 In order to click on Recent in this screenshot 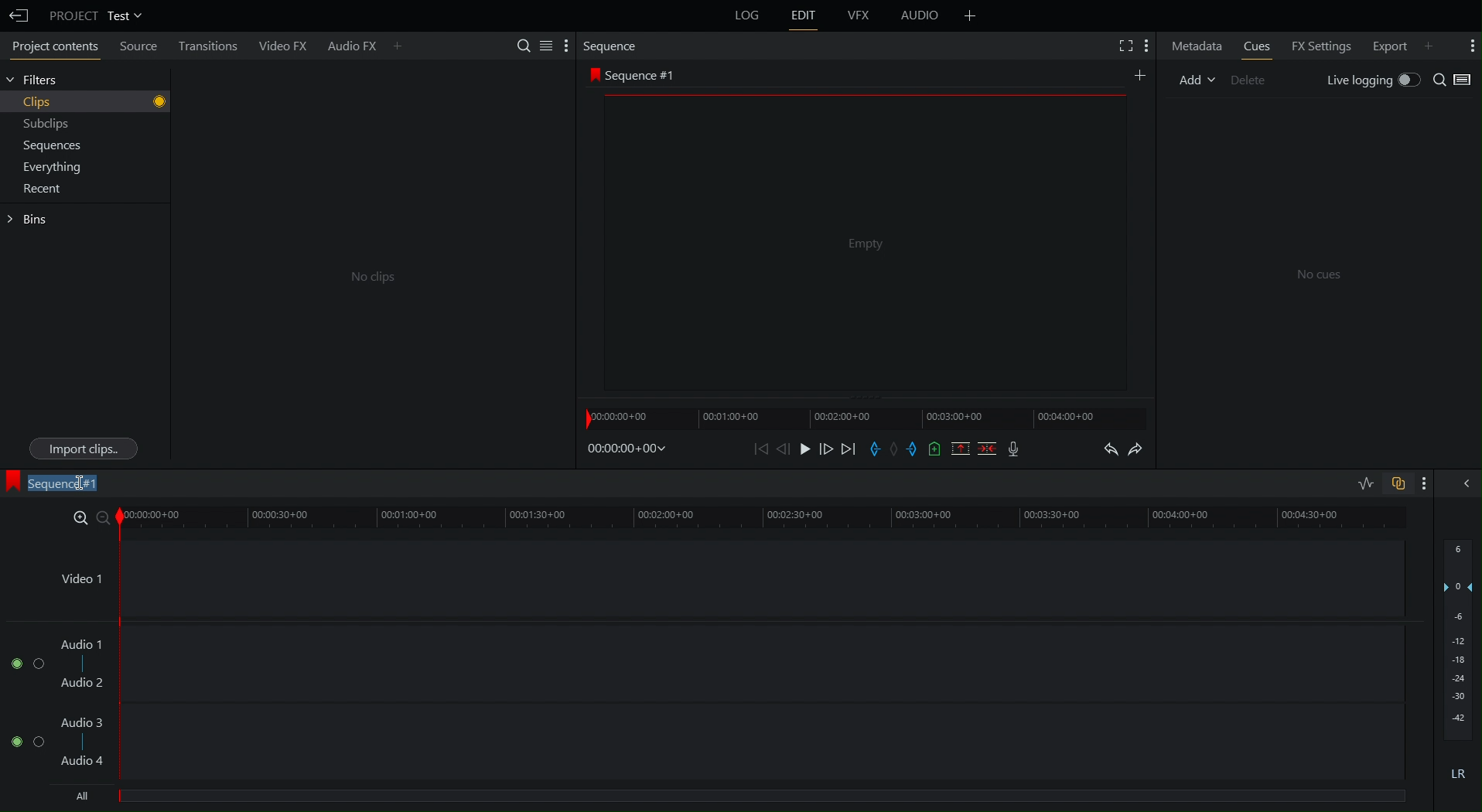, I will do `click(39, 192)`.